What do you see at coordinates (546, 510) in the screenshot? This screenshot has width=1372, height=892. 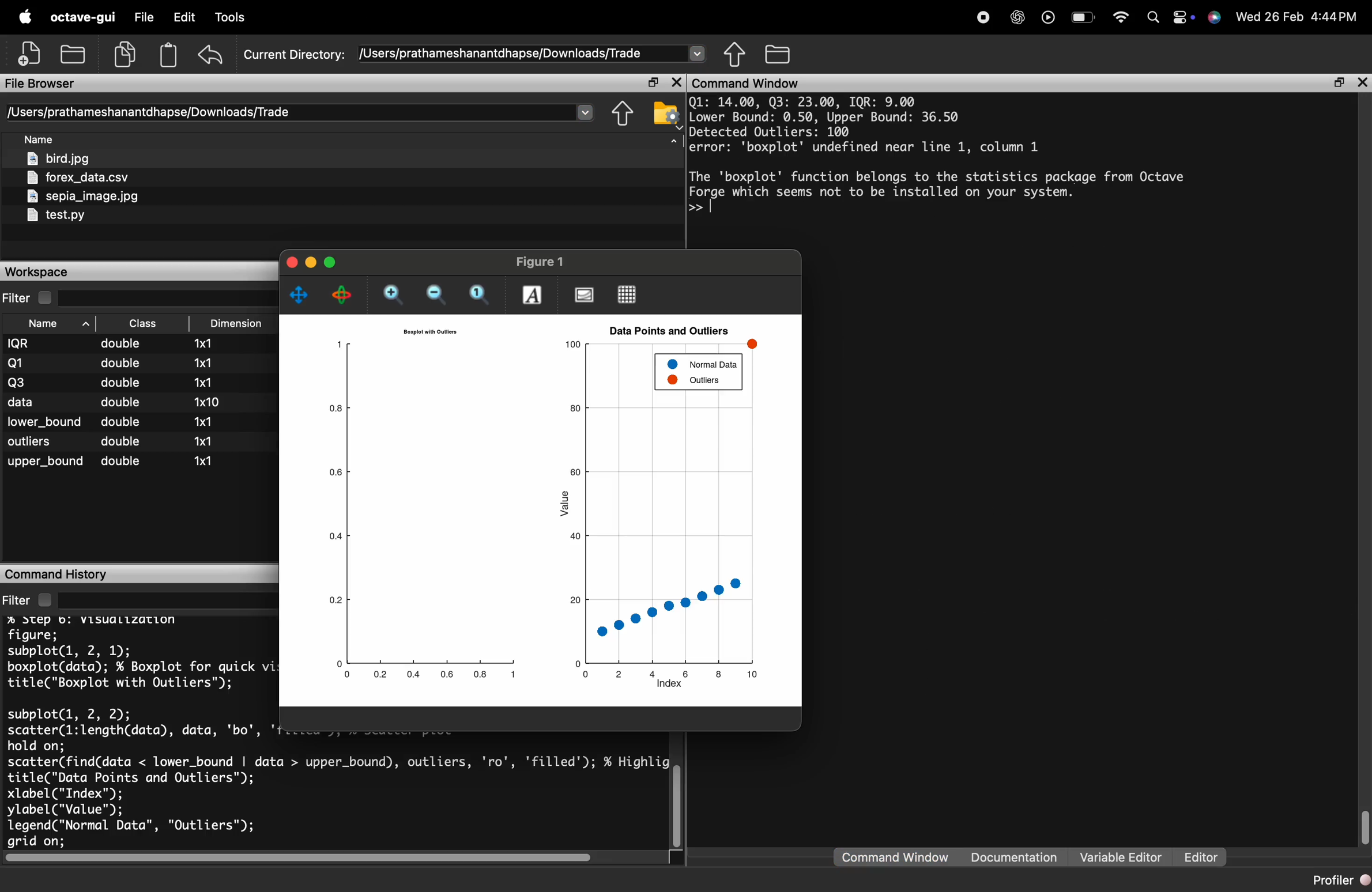 I see `Graph` at bounding box center [546, 510].